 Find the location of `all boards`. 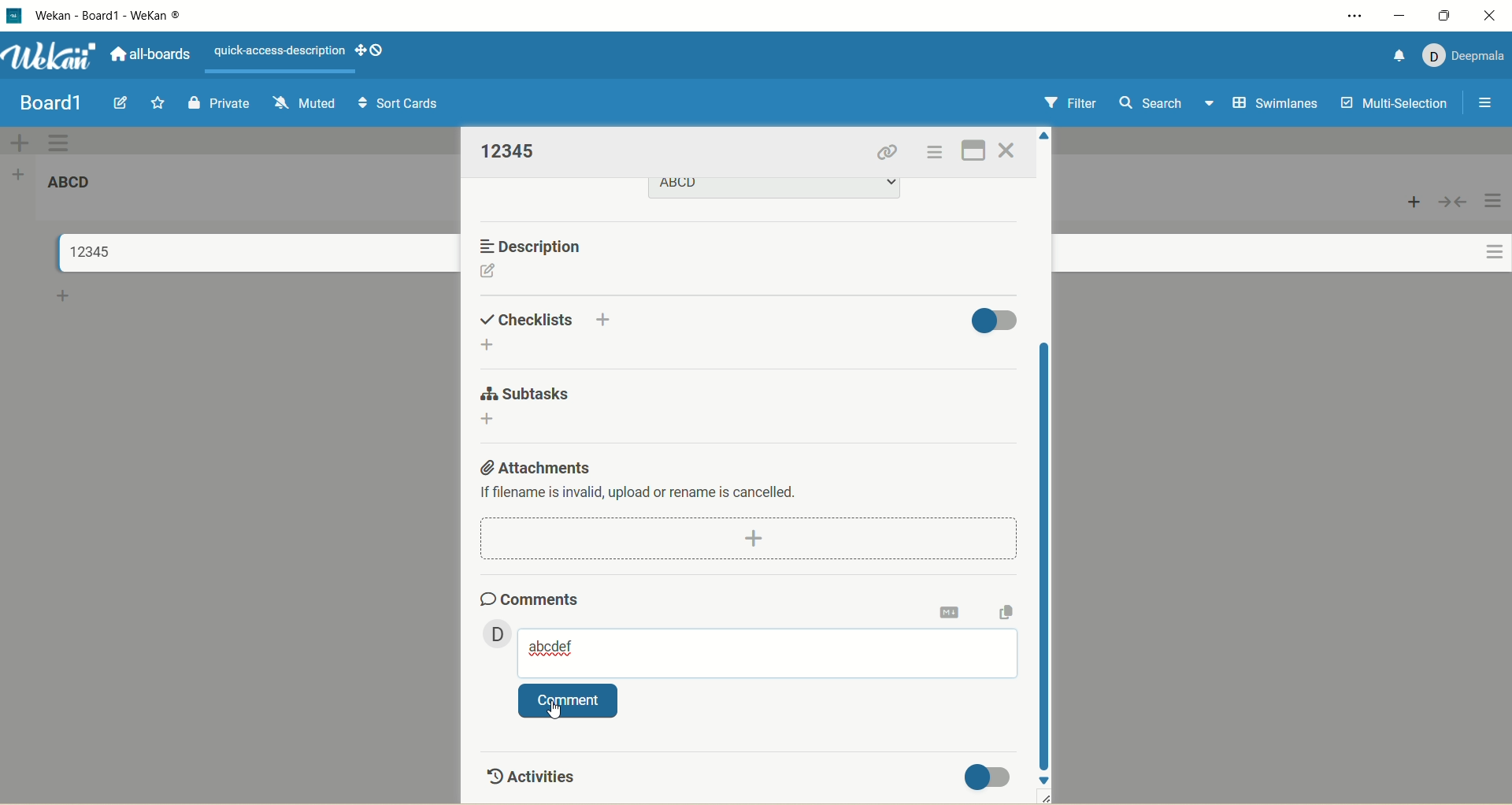

all boards is located at coordinates (149, 57).